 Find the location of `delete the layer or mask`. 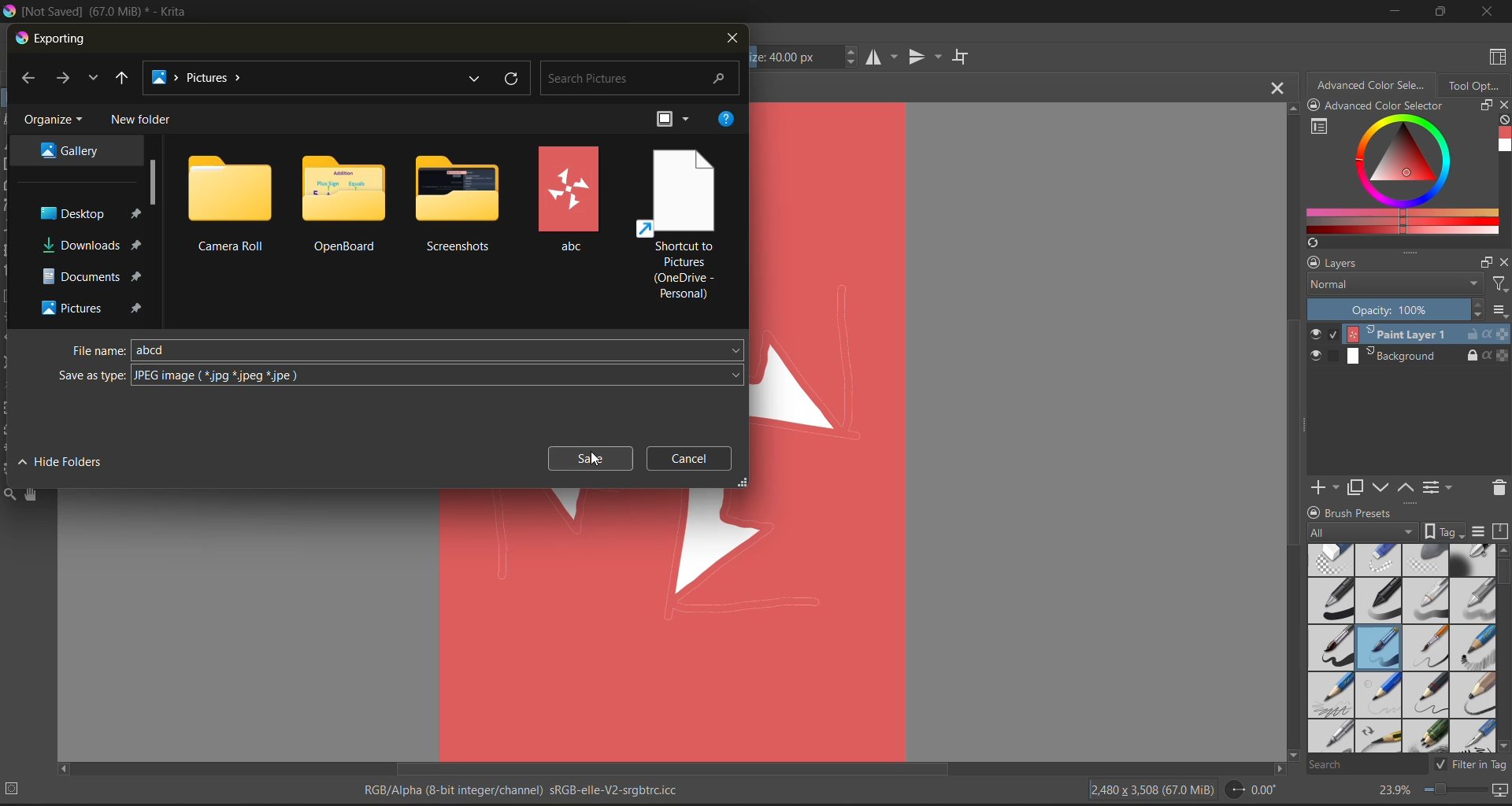

delete the layer or mask is located at coordinates (1494, 490).